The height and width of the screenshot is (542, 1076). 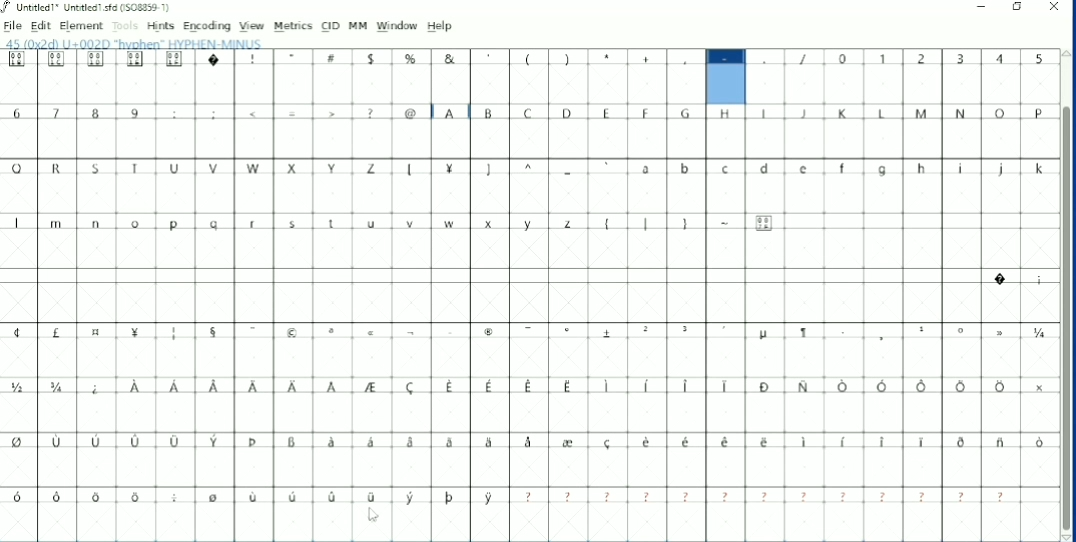 I want to click on Window, so click(x=397, y=26).